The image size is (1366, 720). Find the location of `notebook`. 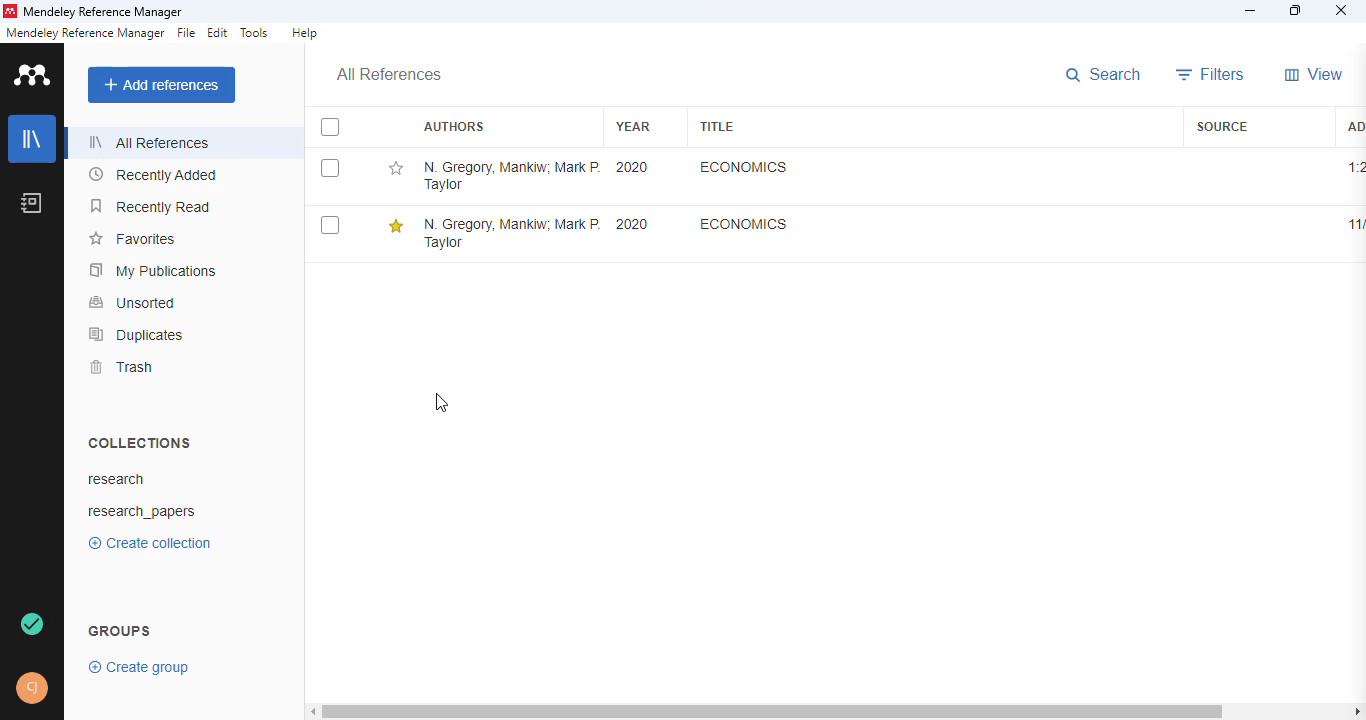

notebook is located at coordinates (31, 202).